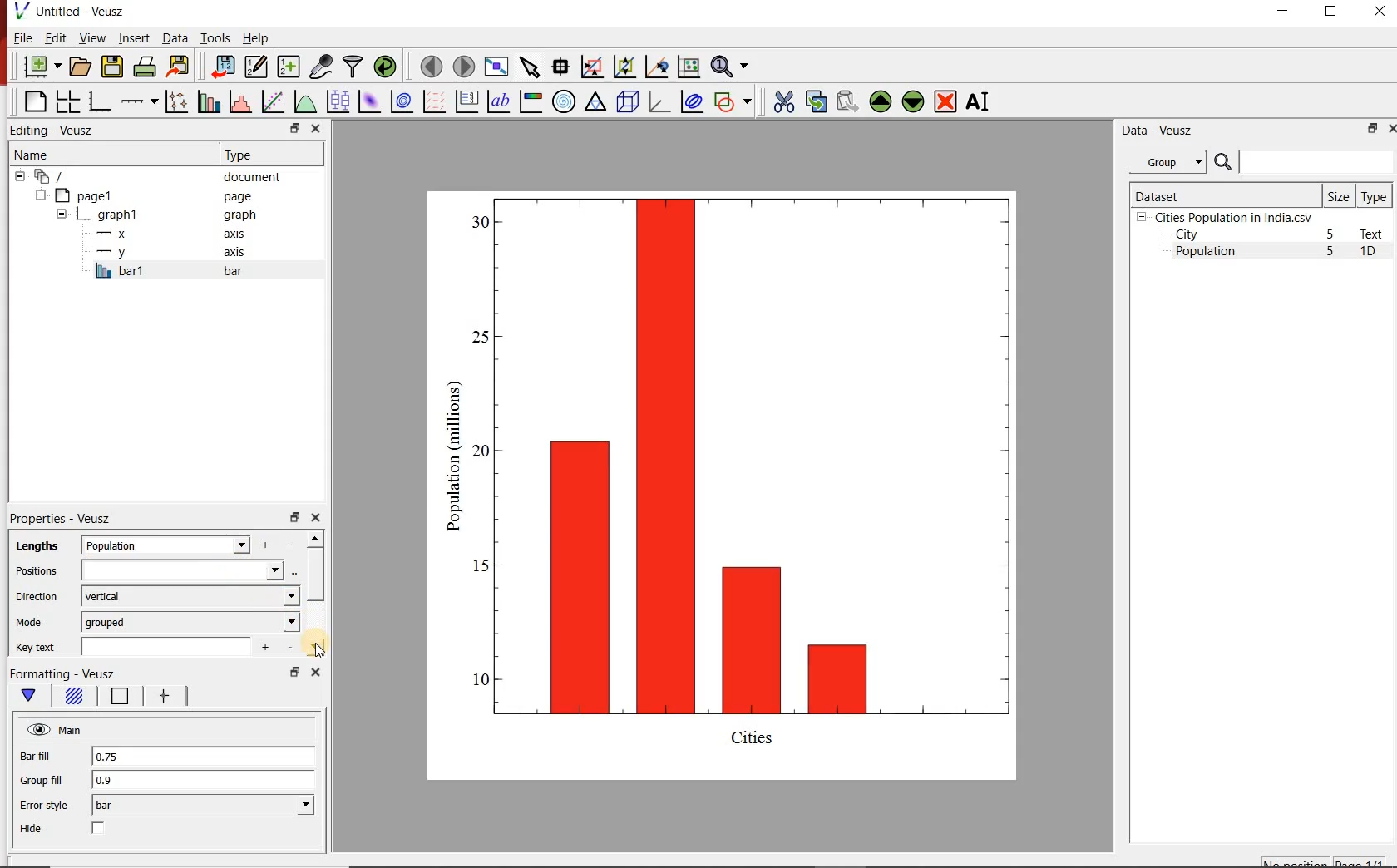 Image resolution: width=1397 pixels, height=868 pixels. I want to click on graph1, so click(743, 481).